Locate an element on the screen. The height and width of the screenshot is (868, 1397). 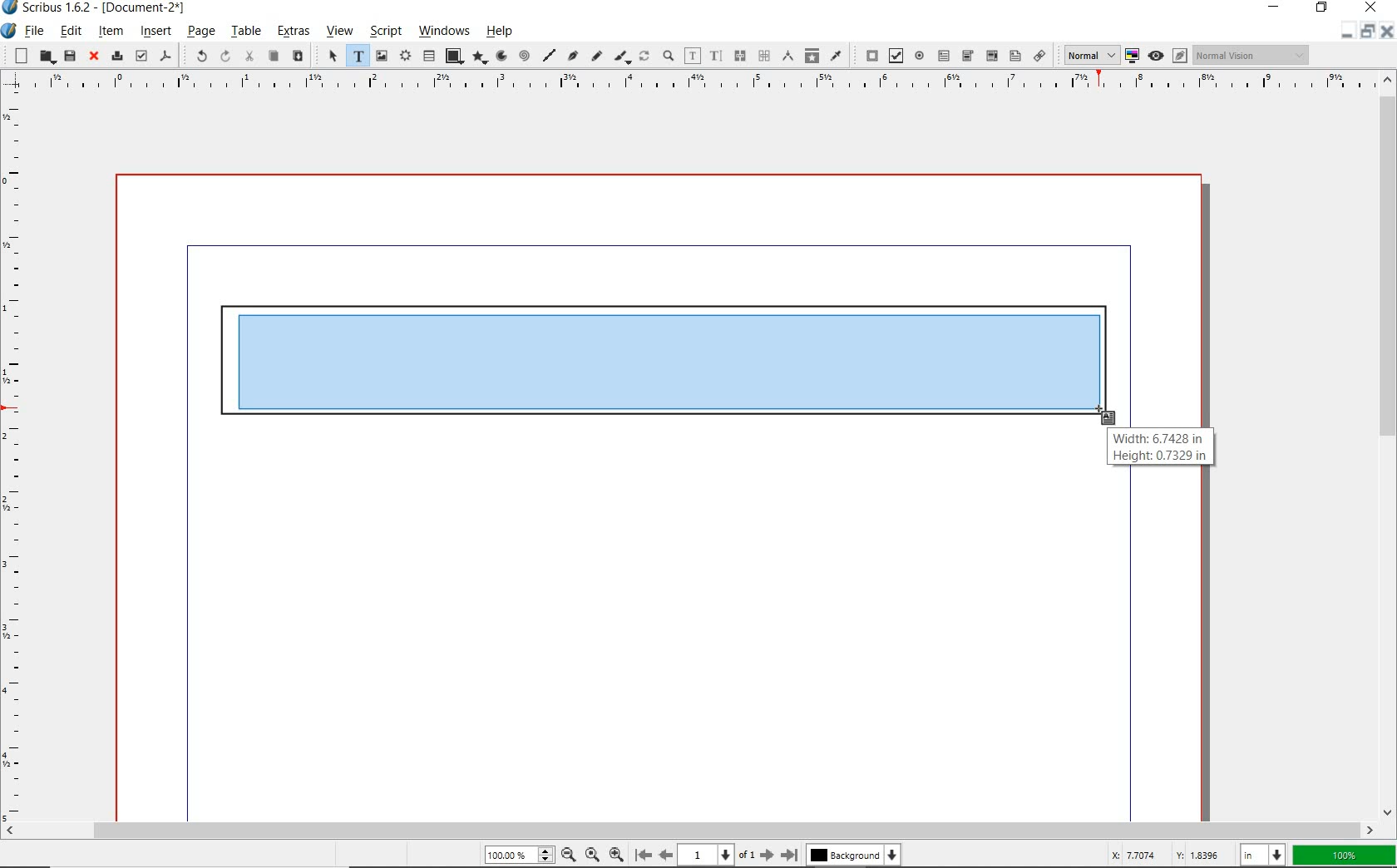
minimize is located at coordinates (1345, 36).